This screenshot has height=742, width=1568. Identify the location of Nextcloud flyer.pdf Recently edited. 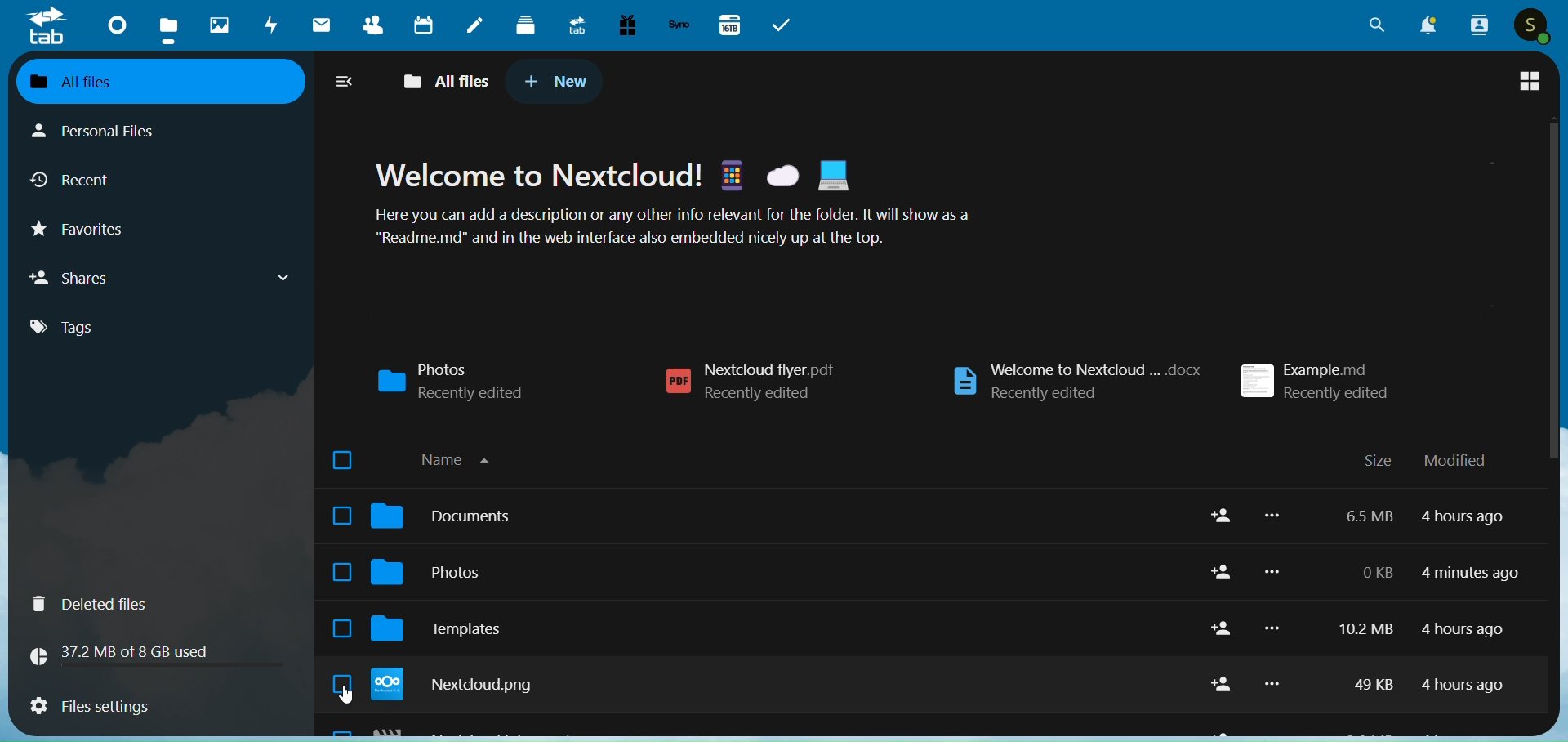
(750, 382).